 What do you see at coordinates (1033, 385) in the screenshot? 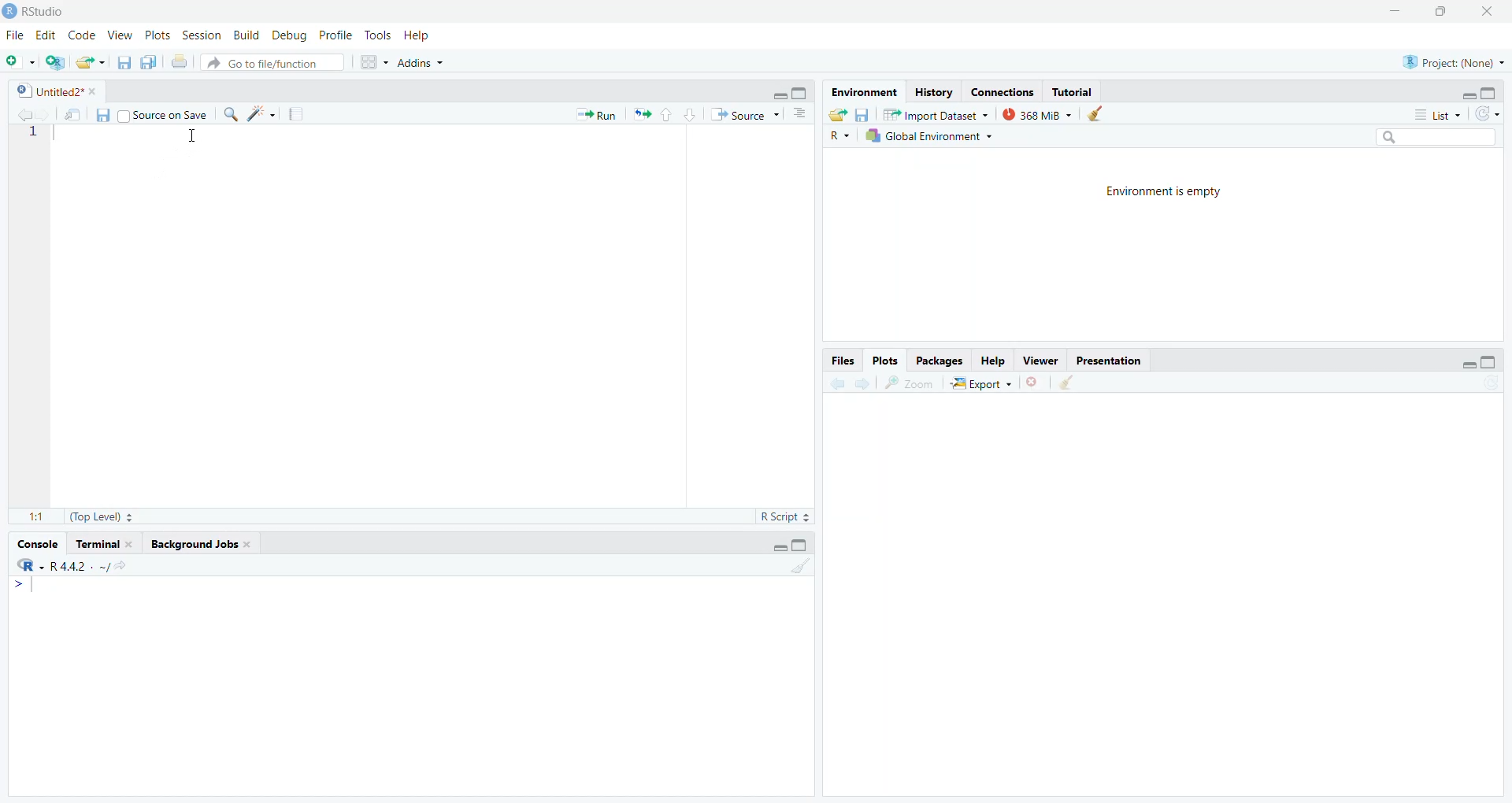
I see `close` at bounding box center [1033, 385].